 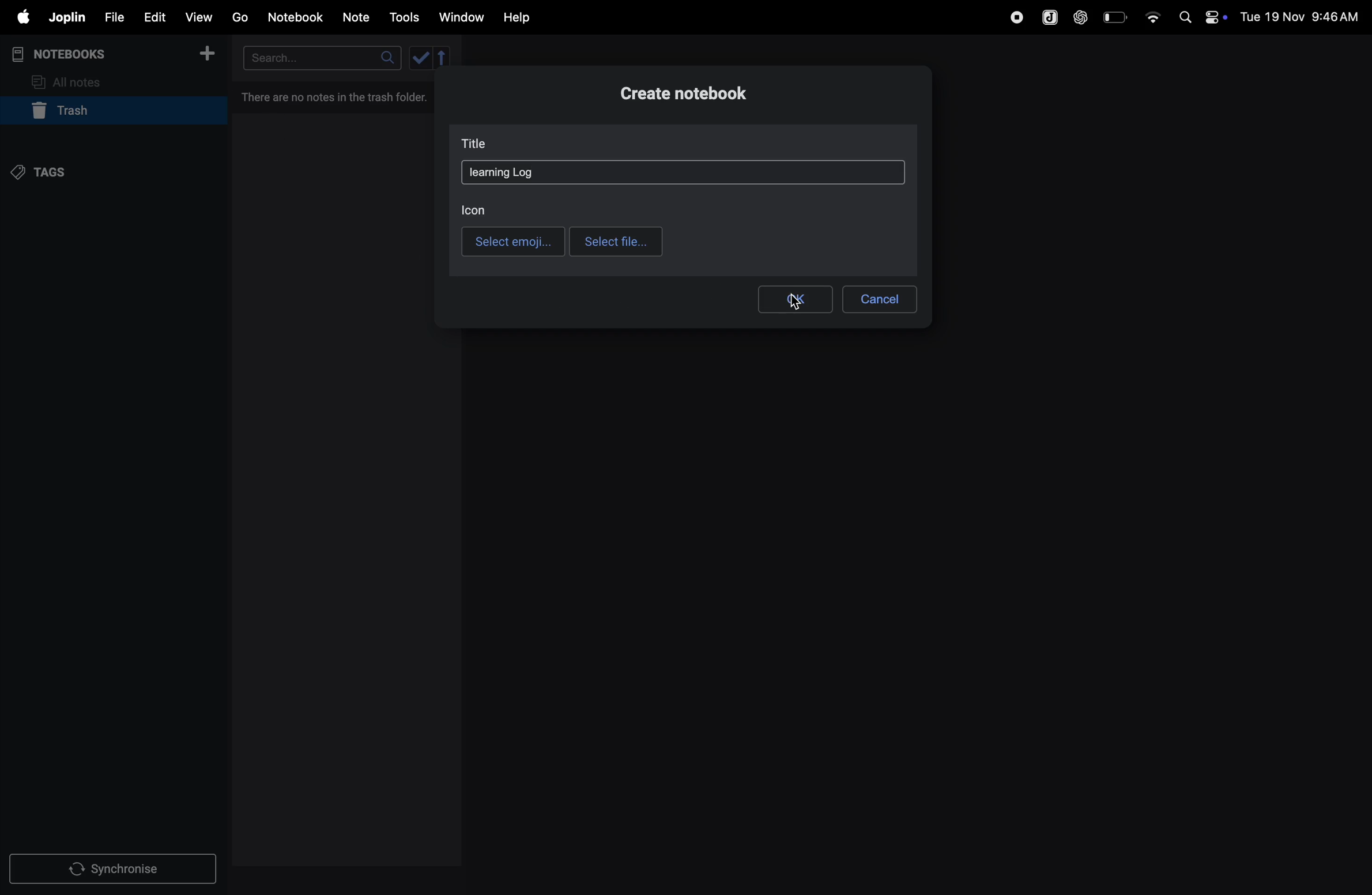 What do you see at coordinates (689, 95) in the screenshot?
I see `Create Notebook` at bounding box center [689, 95].